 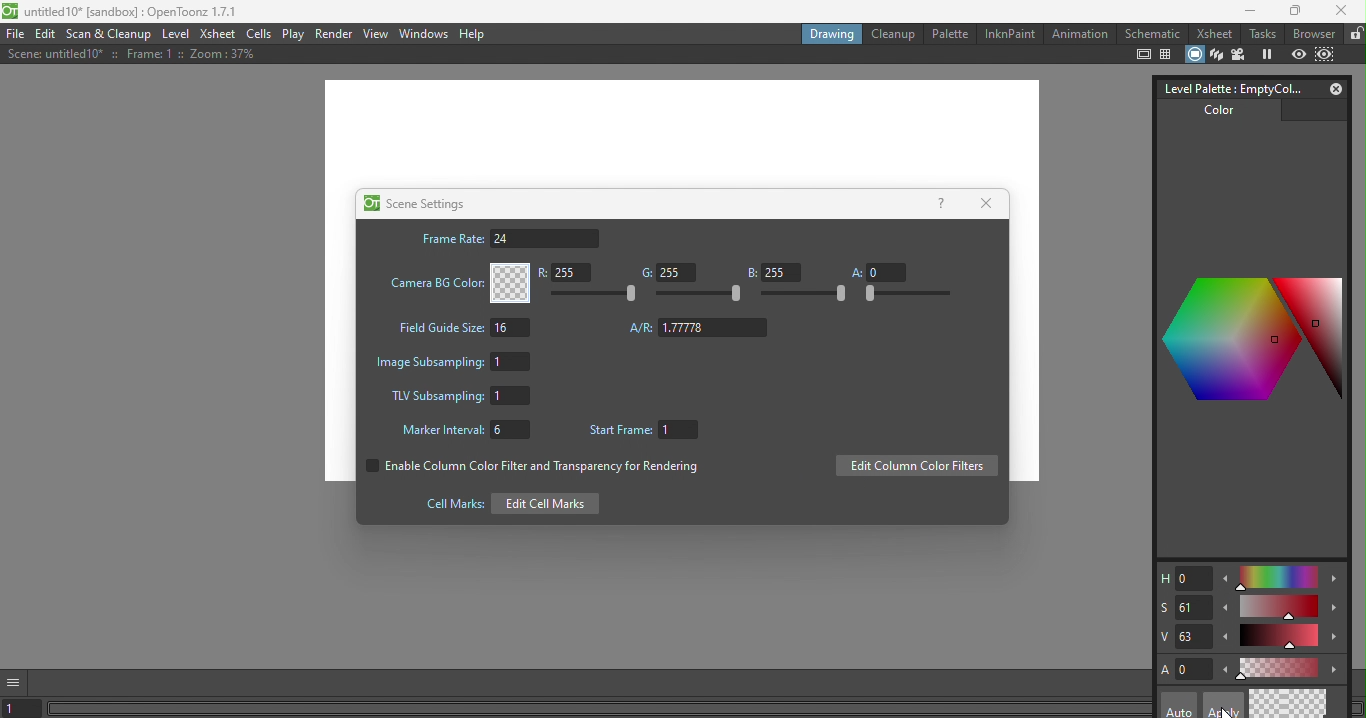 What do you see at coordinates (294, 34) in the screenshot?
I see `Play` at bounding box center [294, 34].